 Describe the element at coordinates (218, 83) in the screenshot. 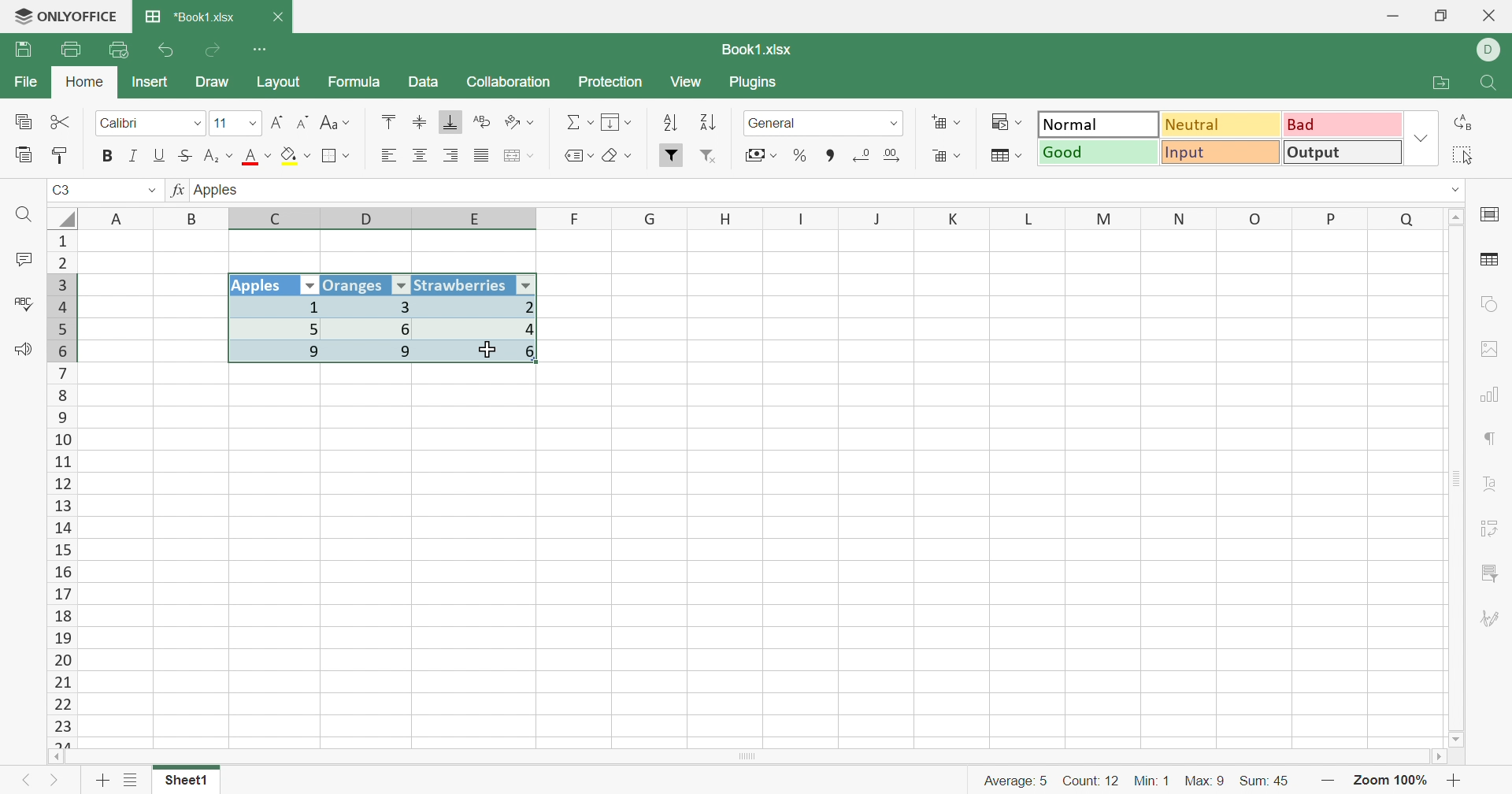

I see `Draw` at that location.